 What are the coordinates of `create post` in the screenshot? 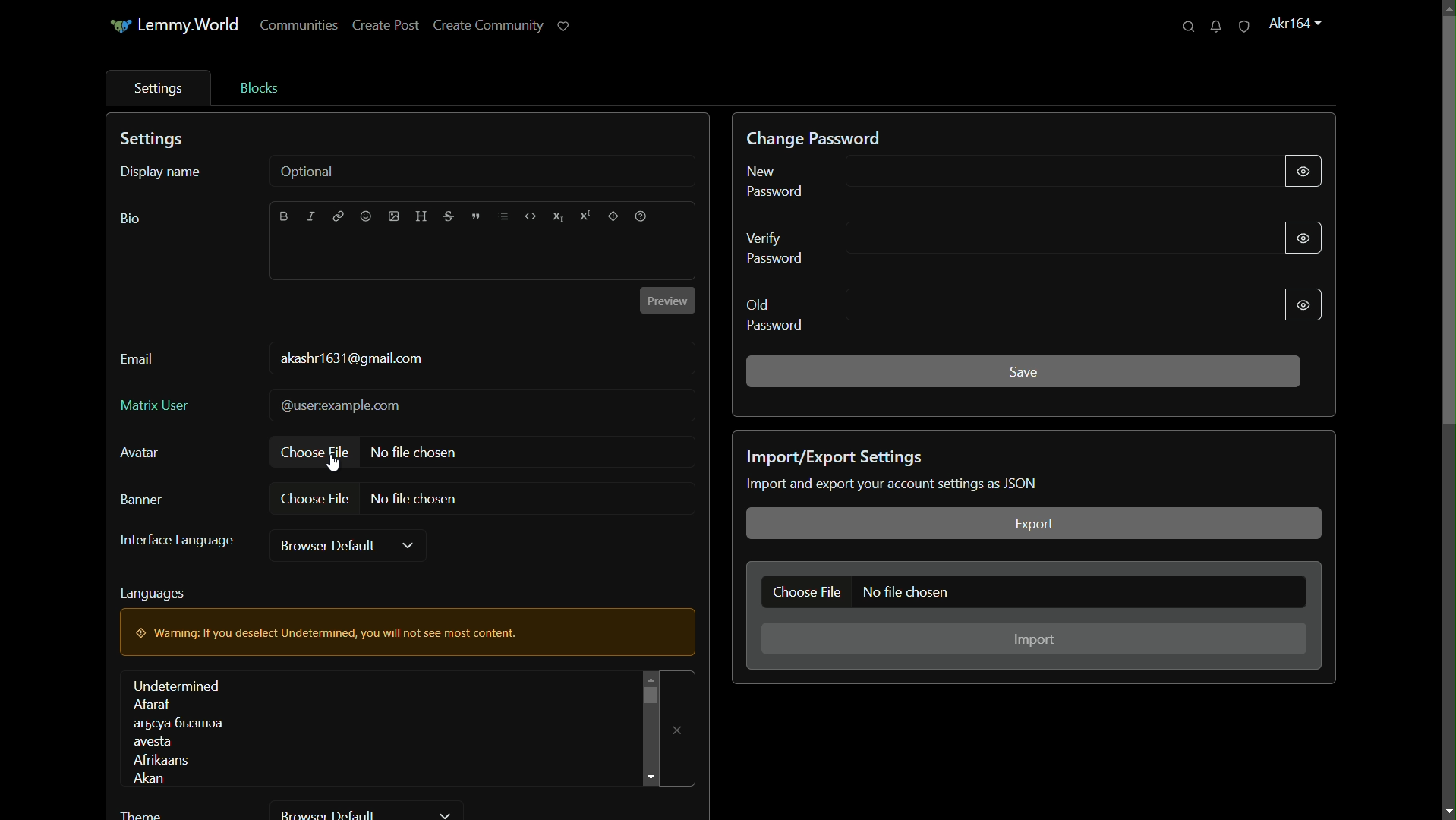 It's located at (386, 27).